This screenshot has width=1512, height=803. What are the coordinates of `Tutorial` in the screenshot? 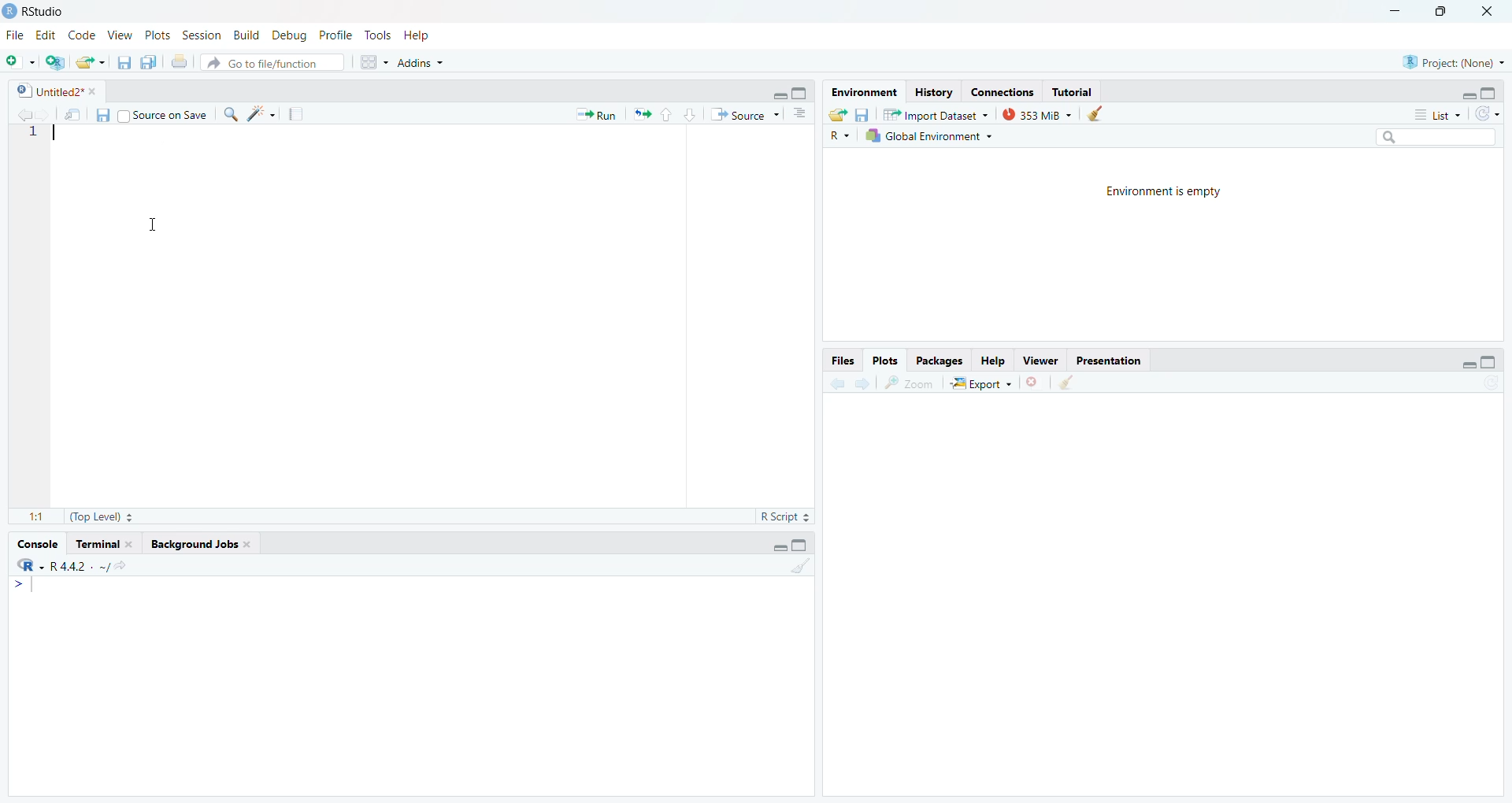 It's located at (1071, 91).